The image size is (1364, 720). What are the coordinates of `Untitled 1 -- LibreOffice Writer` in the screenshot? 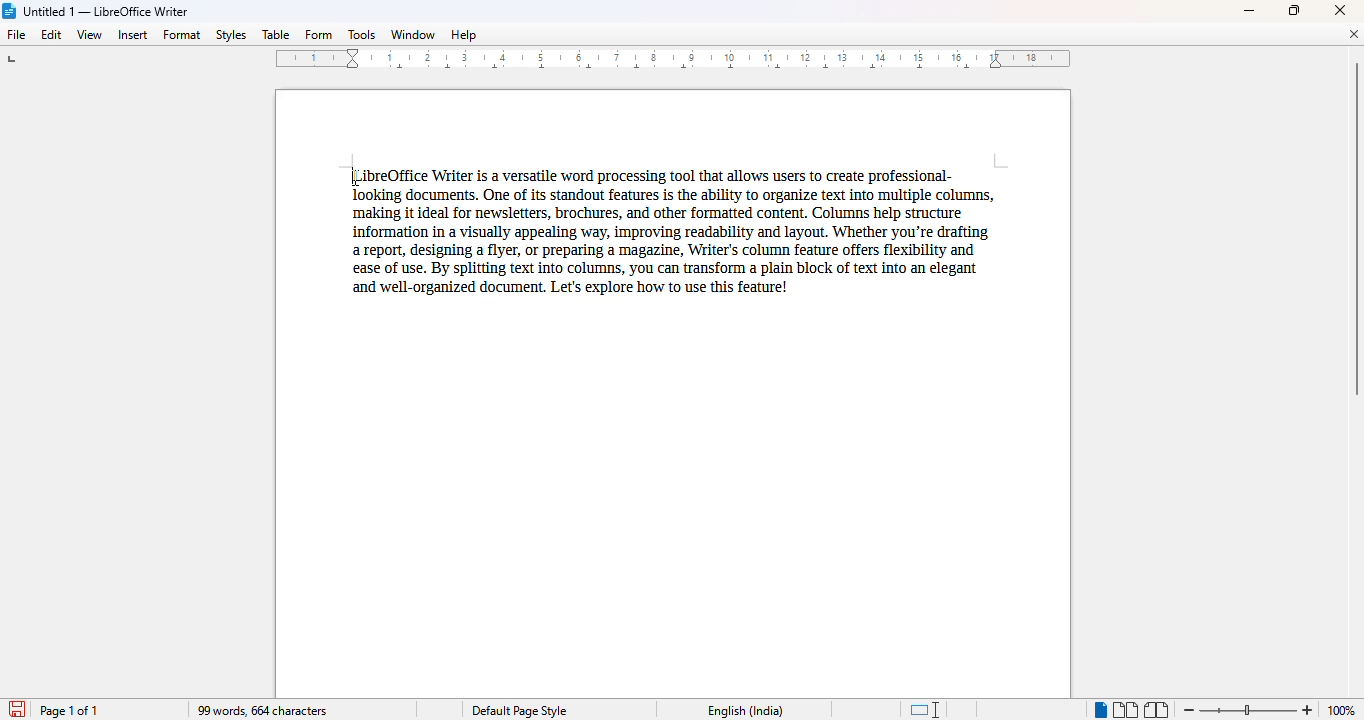 It's located at (107, 12).